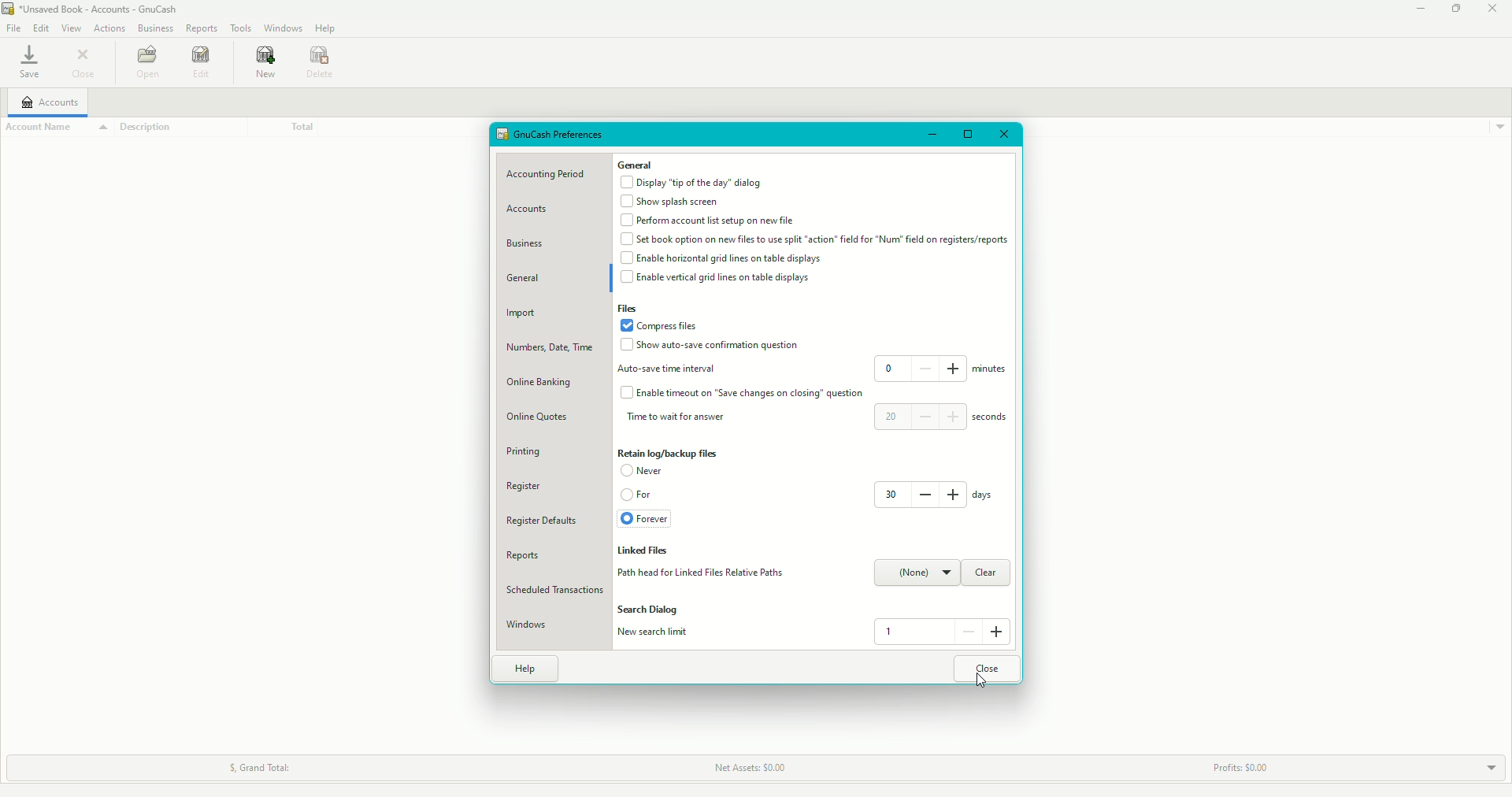  Describe the element at coordinates (154, 128) in the screenshot. I see `Description` at that location.